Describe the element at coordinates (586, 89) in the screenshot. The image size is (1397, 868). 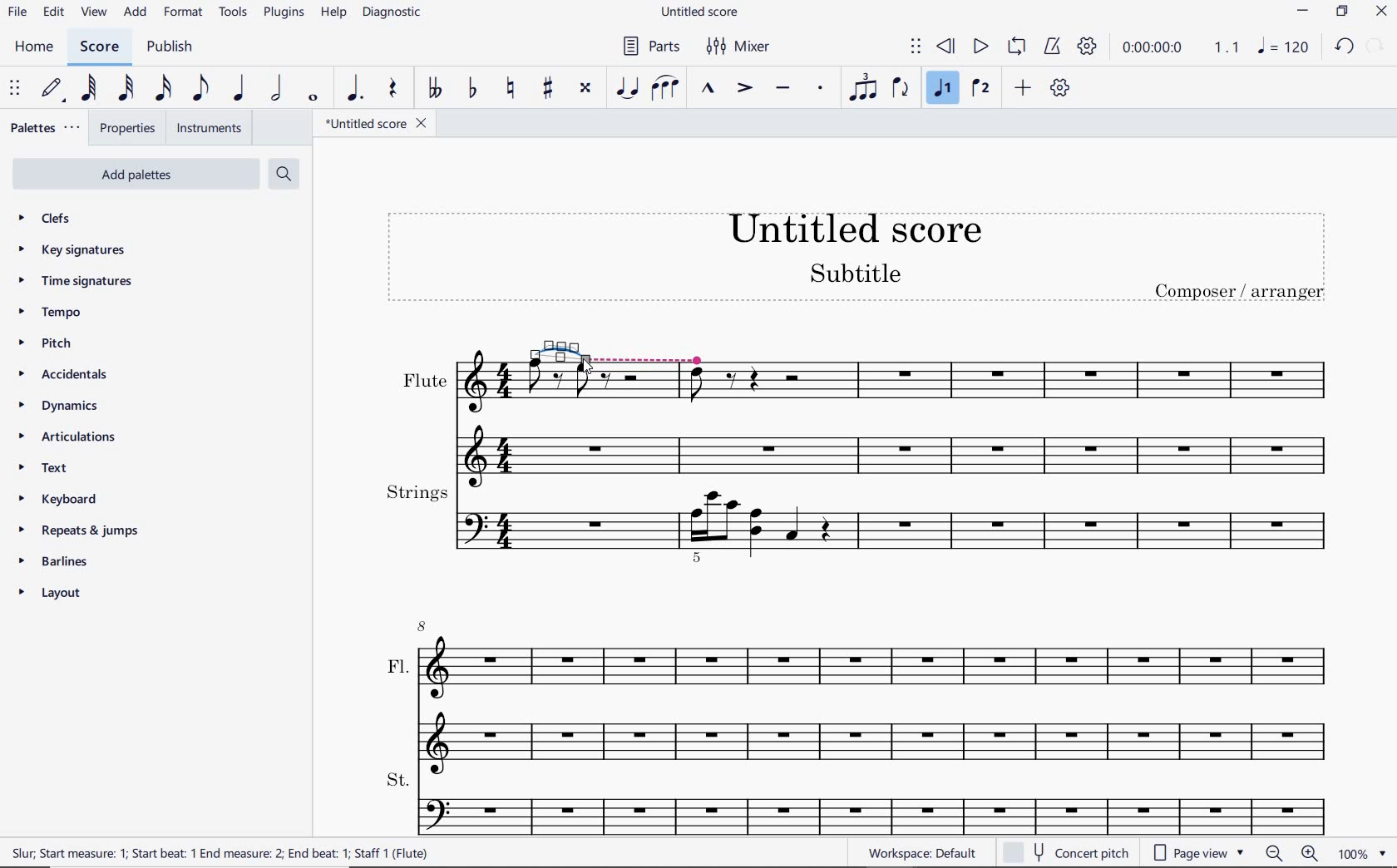
I see `TOGGLE DOUBLE-SHARP` at that location.